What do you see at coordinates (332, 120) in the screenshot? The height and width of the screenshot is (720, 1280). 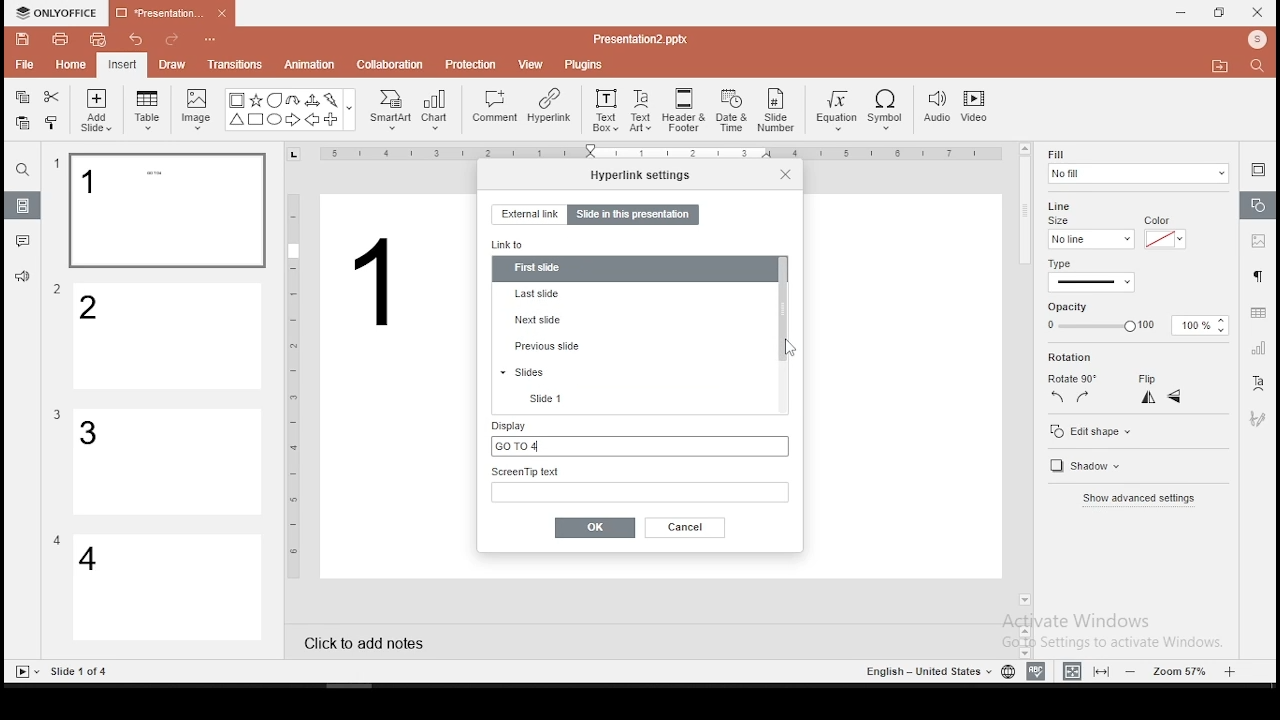 I see `Plus` at bounding box center [332, 120].